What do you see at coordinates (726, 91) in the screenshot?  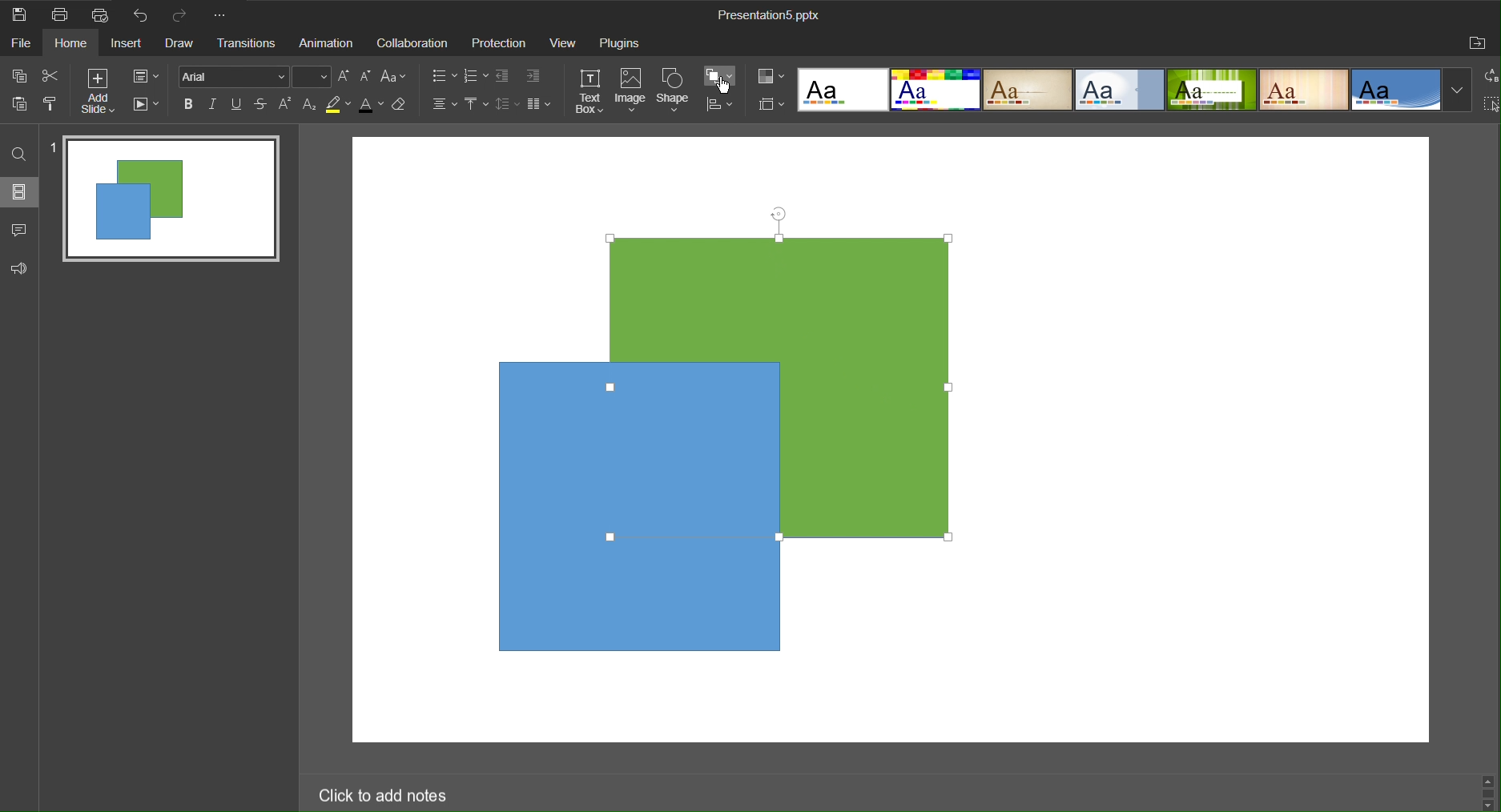 I see `pointer cursor` at bounding box center [726, 91].